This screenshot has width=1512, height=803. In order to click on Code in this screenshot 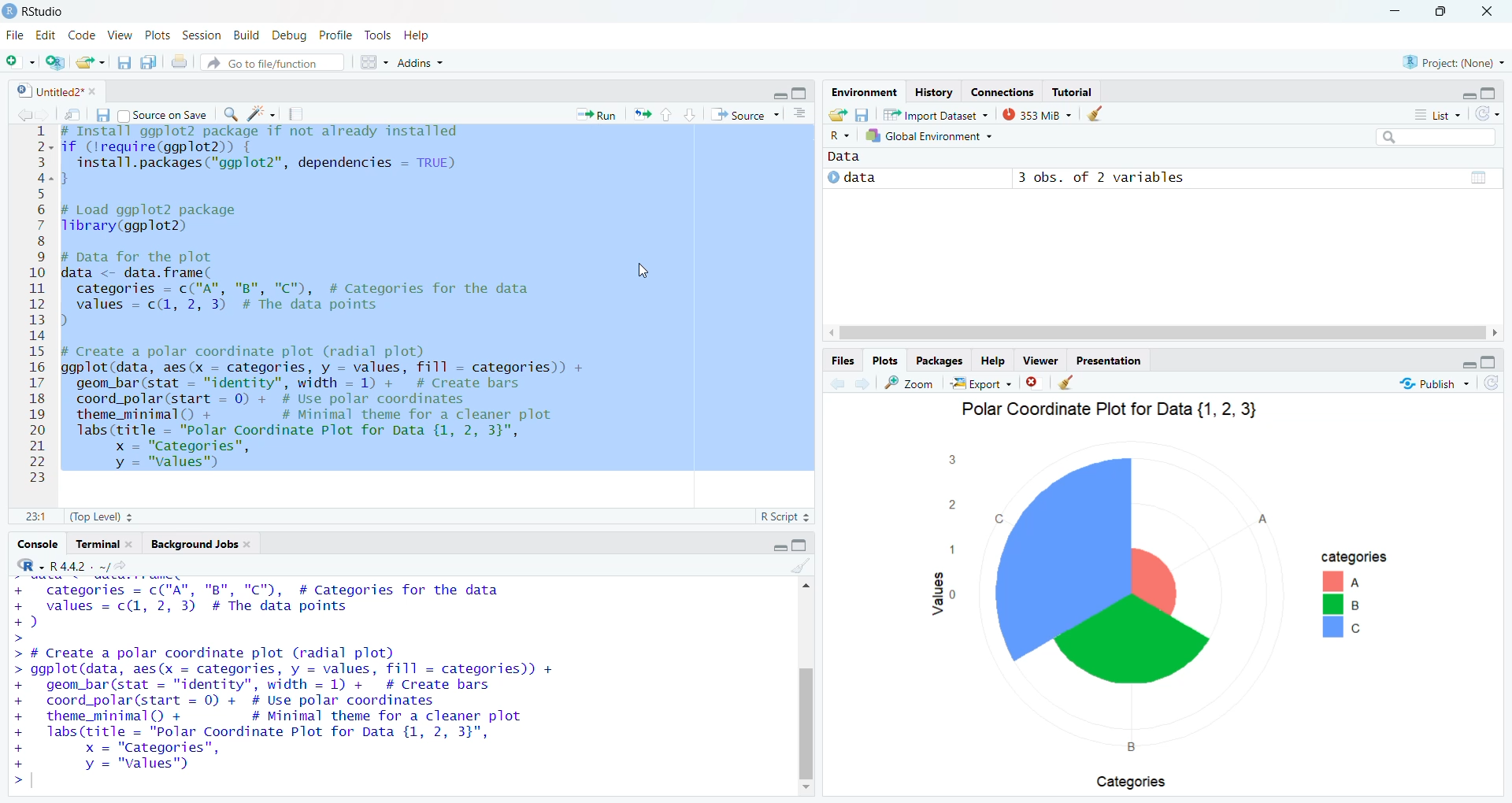, I will do `click(80, 36)`.